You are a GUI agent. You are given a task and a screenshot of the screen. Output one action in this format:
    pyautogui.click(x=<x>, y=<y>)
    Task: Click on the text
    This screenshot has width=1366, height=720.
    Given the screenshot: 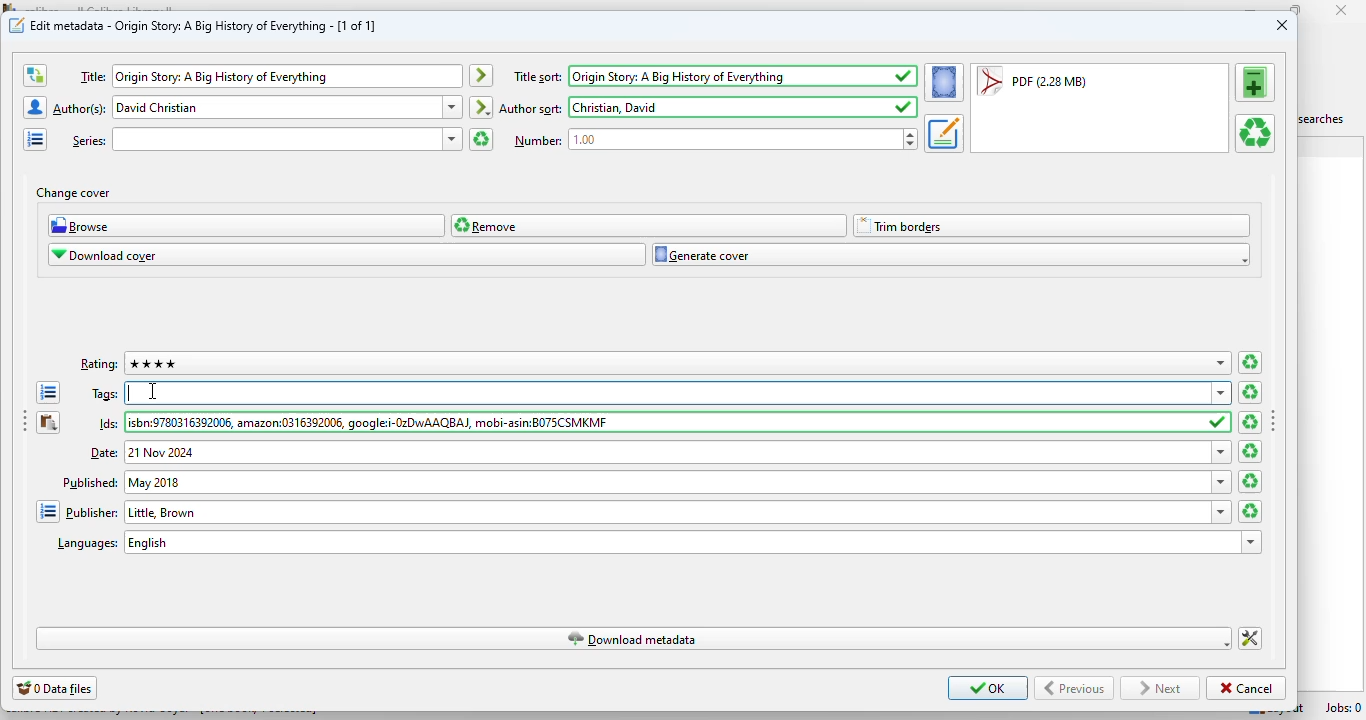 What is the action you would take?
    pyautogui.click(x=81, y=108)
    